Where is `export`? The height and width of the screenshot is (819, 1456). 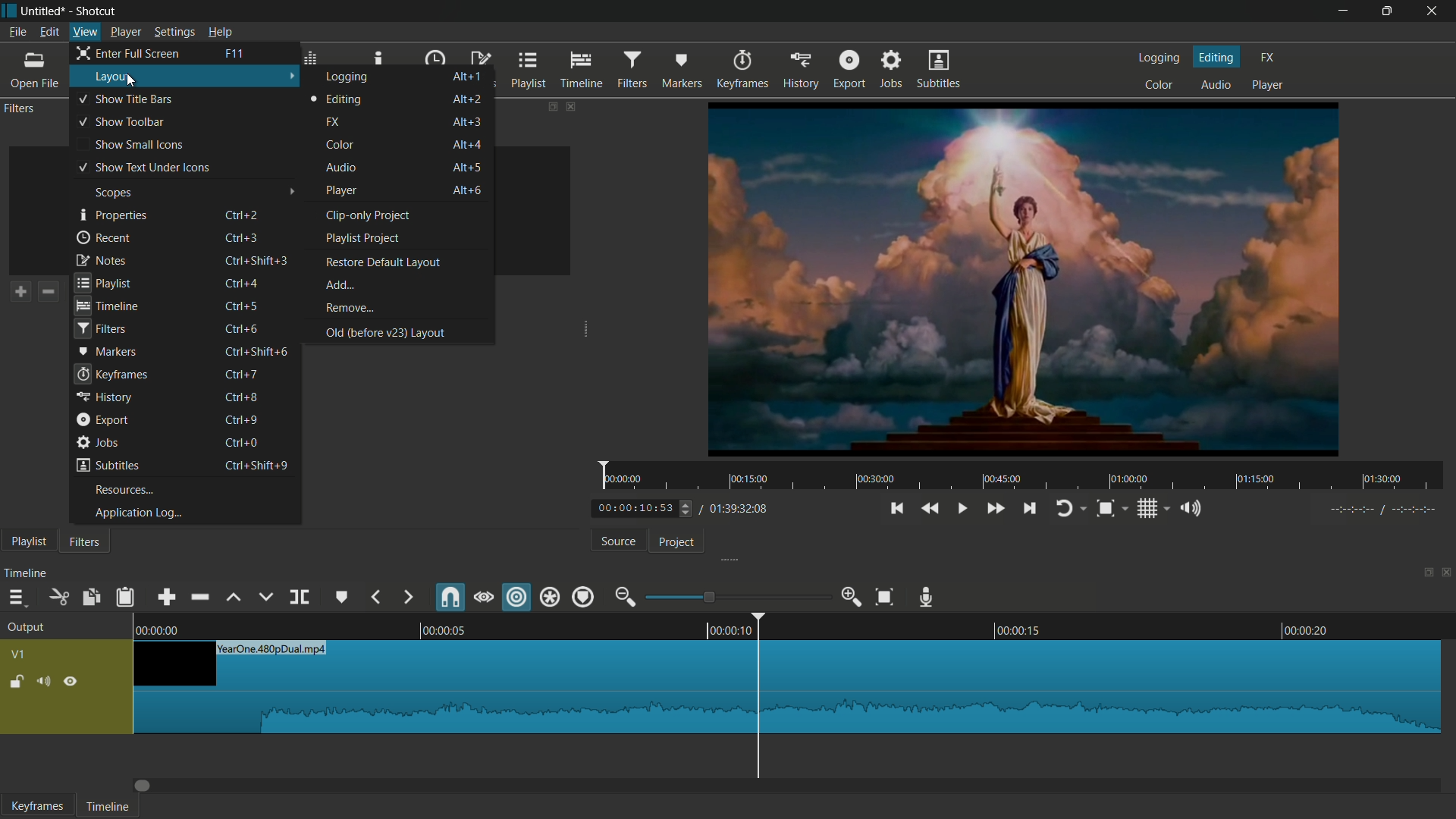 export is located at coordinates (849, 71).